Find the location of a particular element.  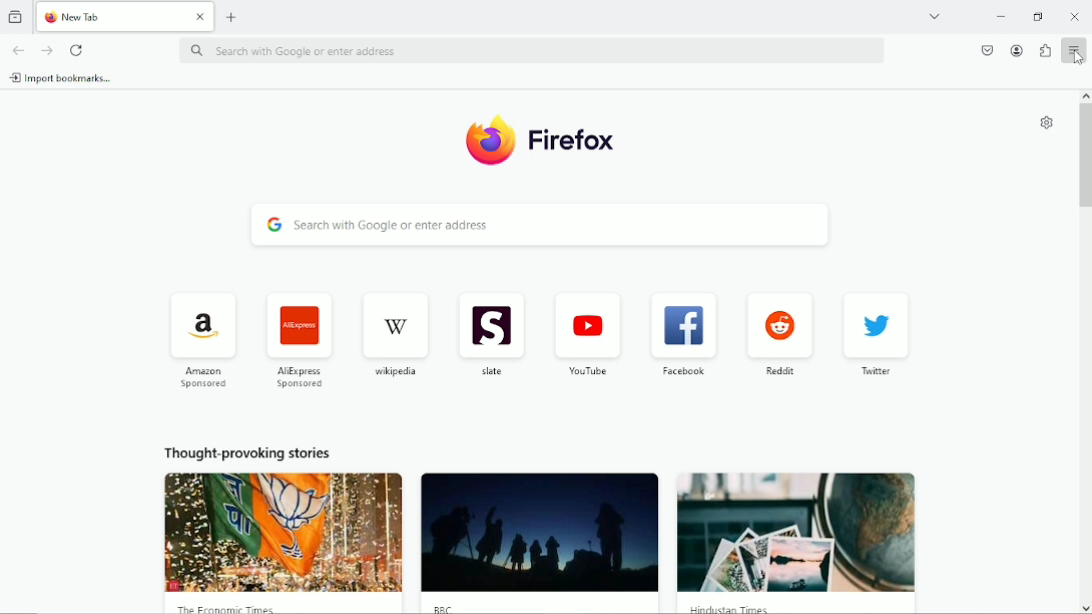

logo is located at coordinates (485, 141).